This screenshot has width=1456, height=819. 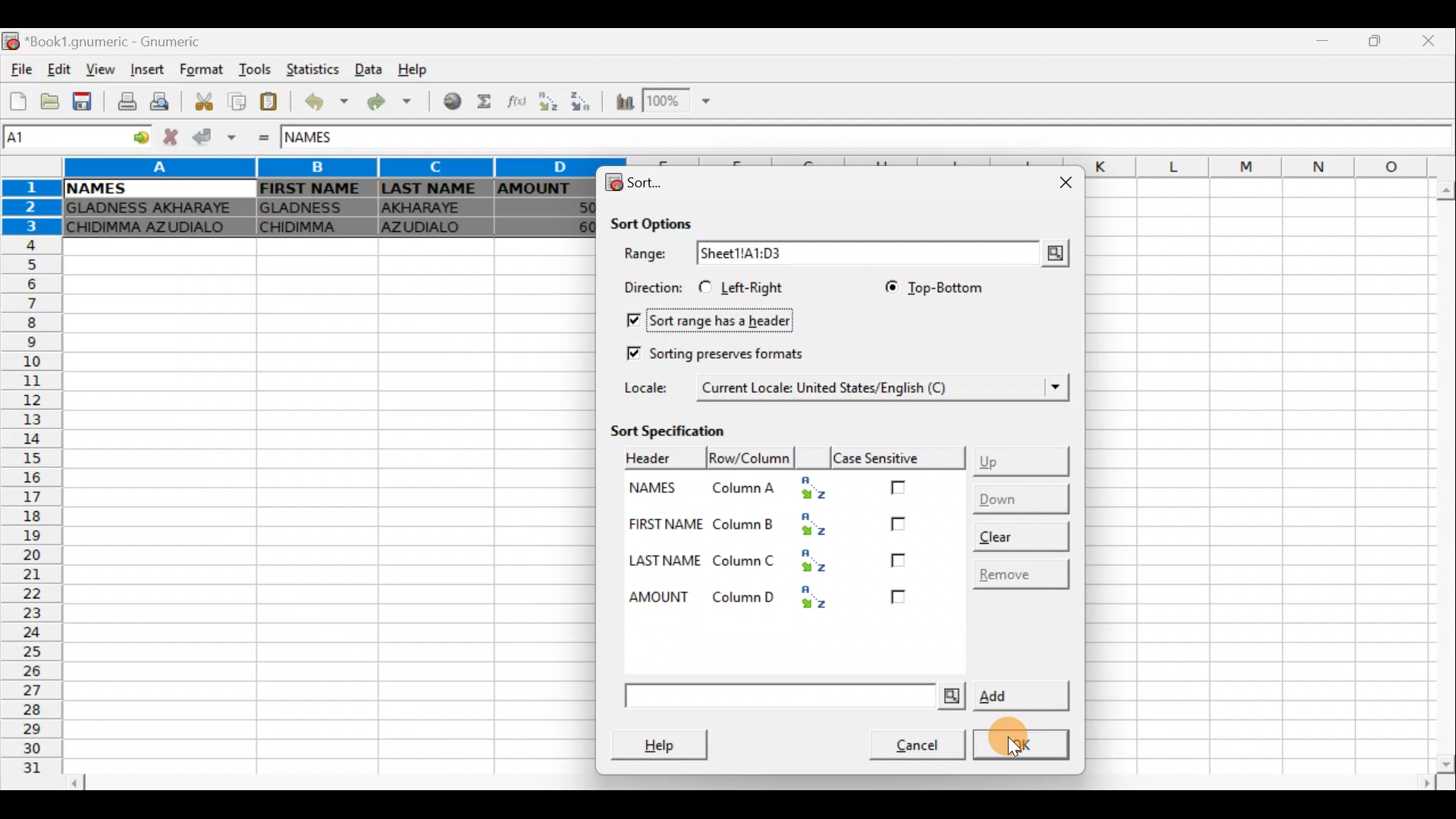 I want to click on Checkbox, so click(x=904, y=485).